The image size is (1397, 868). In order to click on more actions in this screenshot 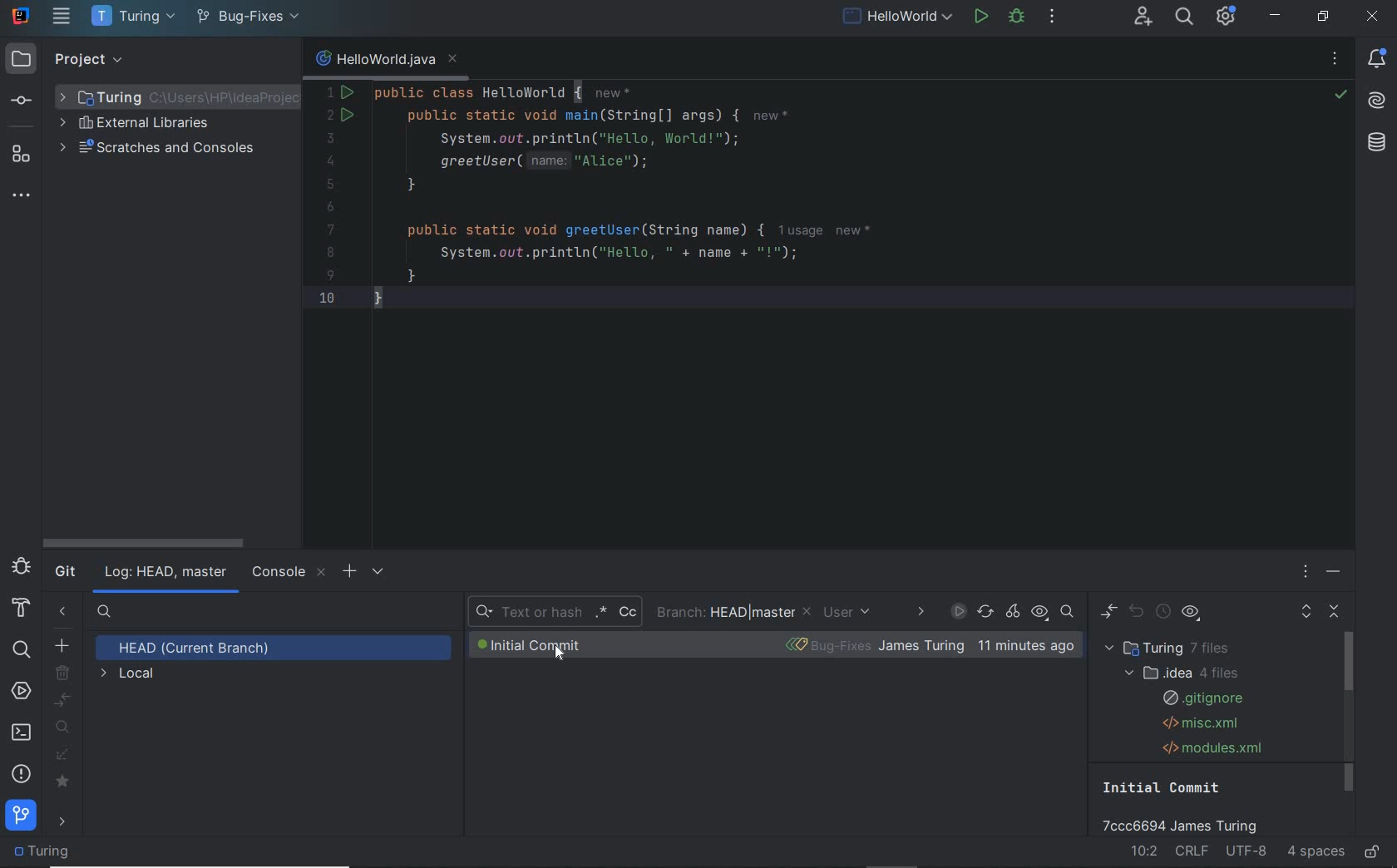, I will do `click(1053, 18)`.